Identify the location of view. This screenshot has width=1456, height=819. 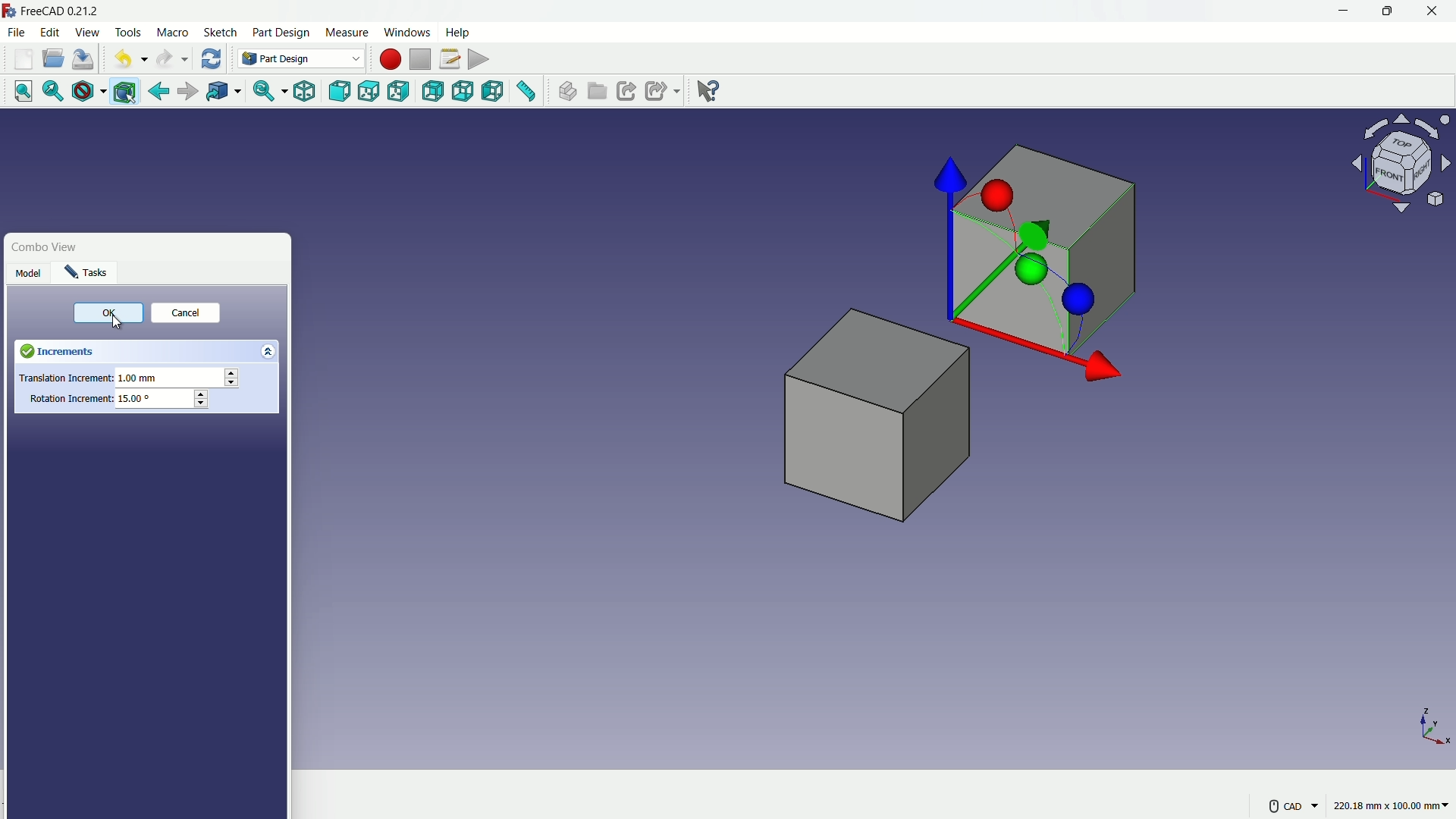
(86, 32).